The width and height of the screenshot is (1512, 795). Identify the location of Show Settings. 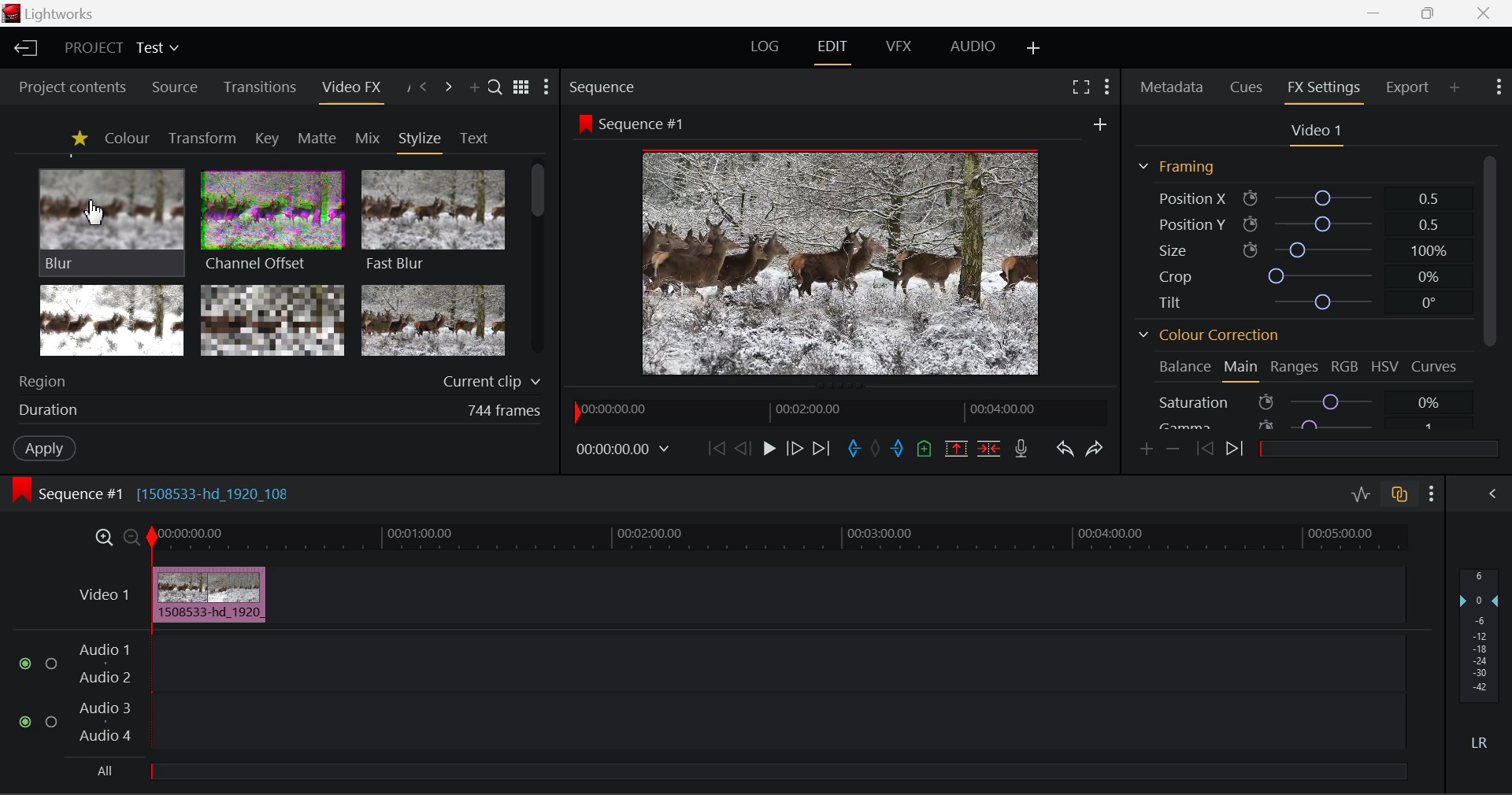
(1501, 89).